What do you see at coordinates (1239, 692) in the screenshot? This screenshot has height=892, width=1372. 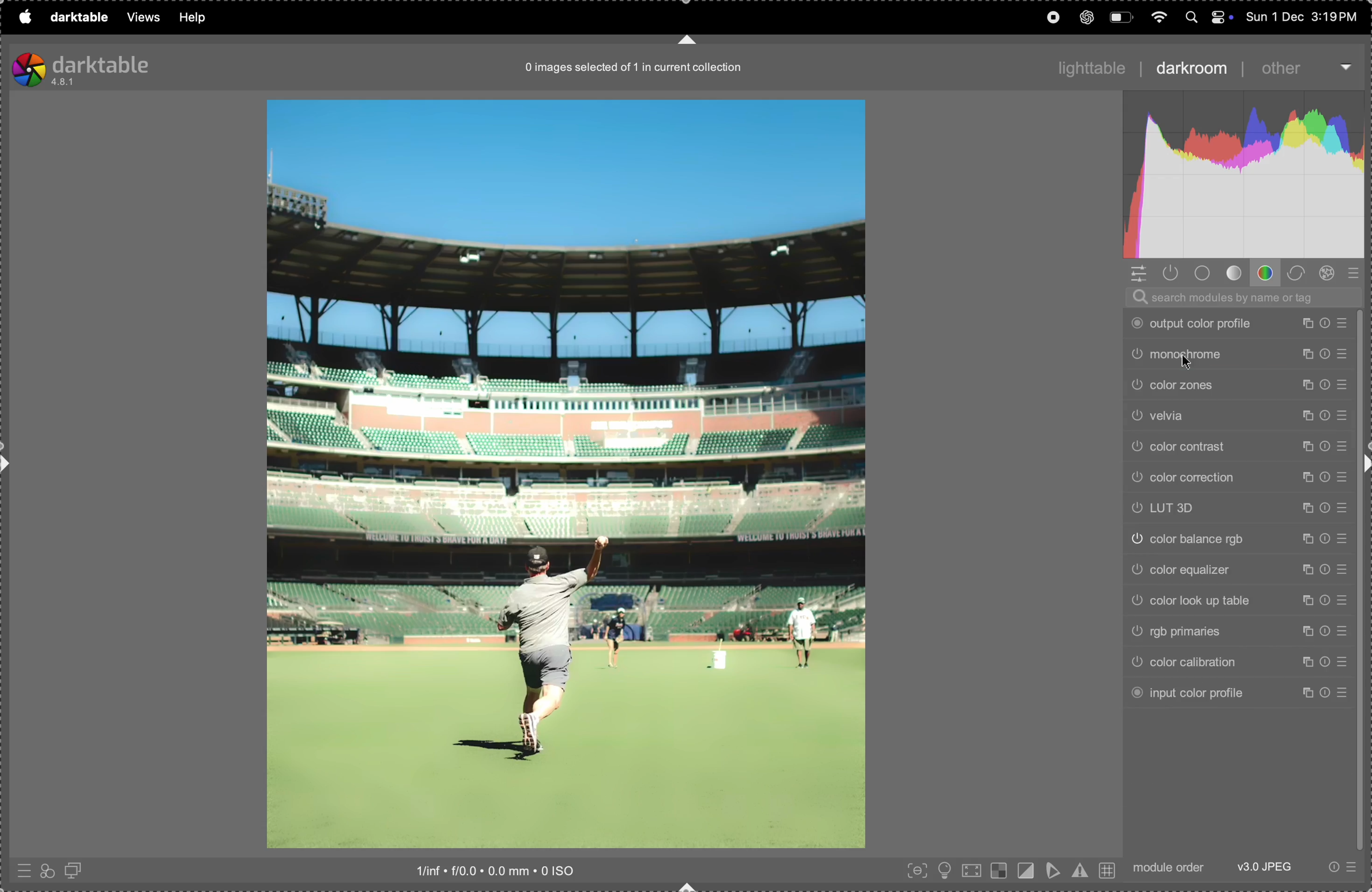 I see `input colour profile` at bounding box center [1239, 692].